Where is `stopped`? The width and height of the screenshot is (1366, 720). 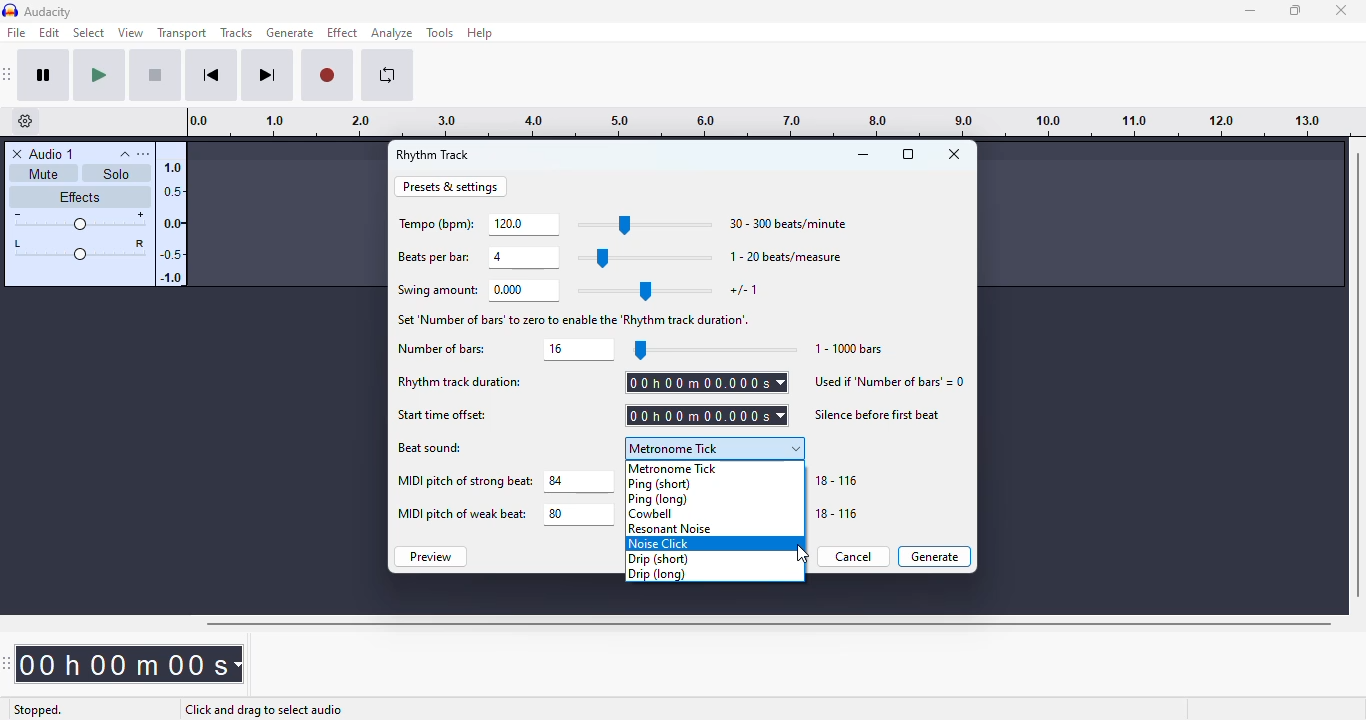
stopped is located at coordinates (38, 710).